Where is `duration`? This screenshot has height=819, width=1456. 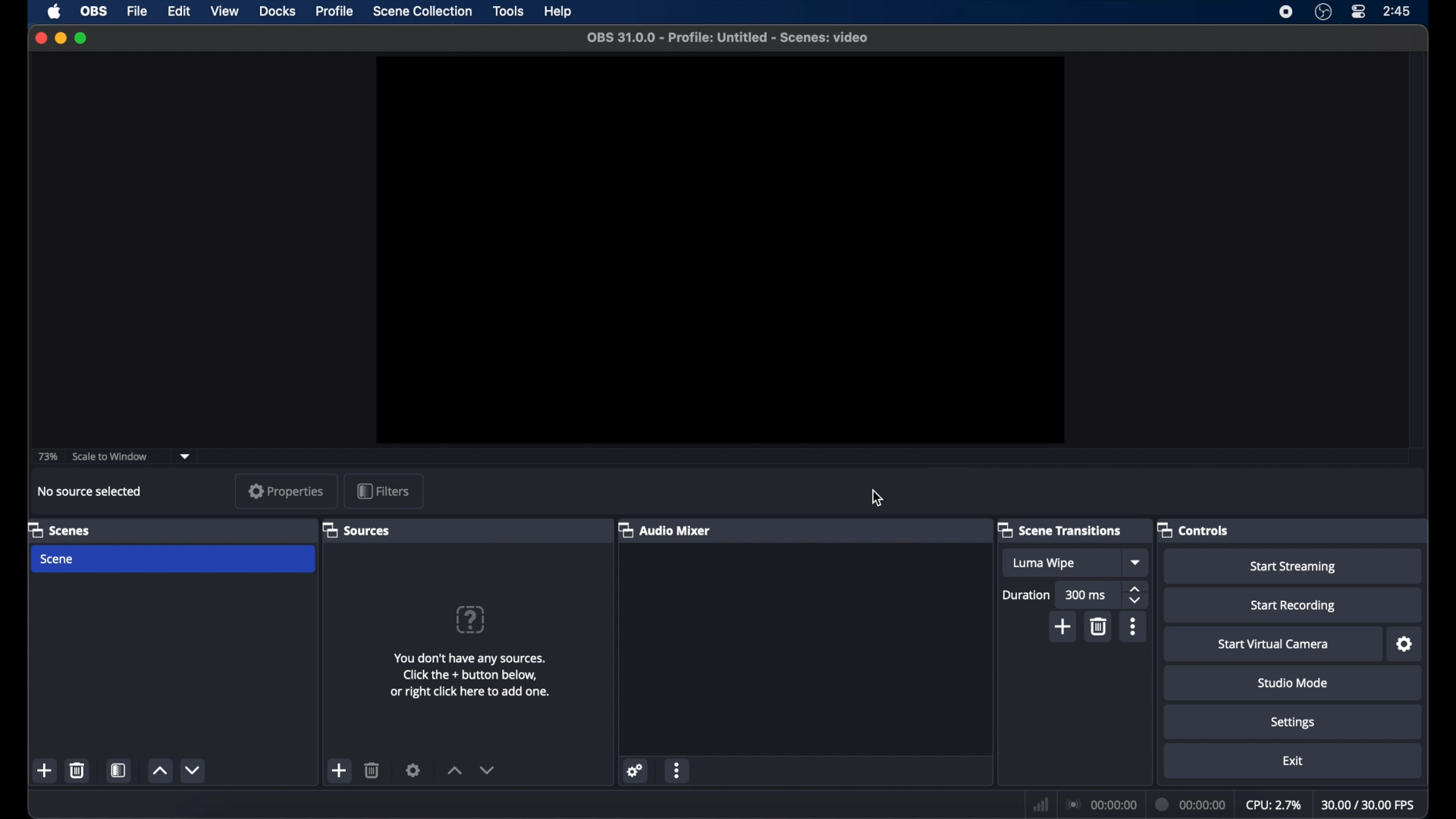 duration is located at coordinates (1027, 596).